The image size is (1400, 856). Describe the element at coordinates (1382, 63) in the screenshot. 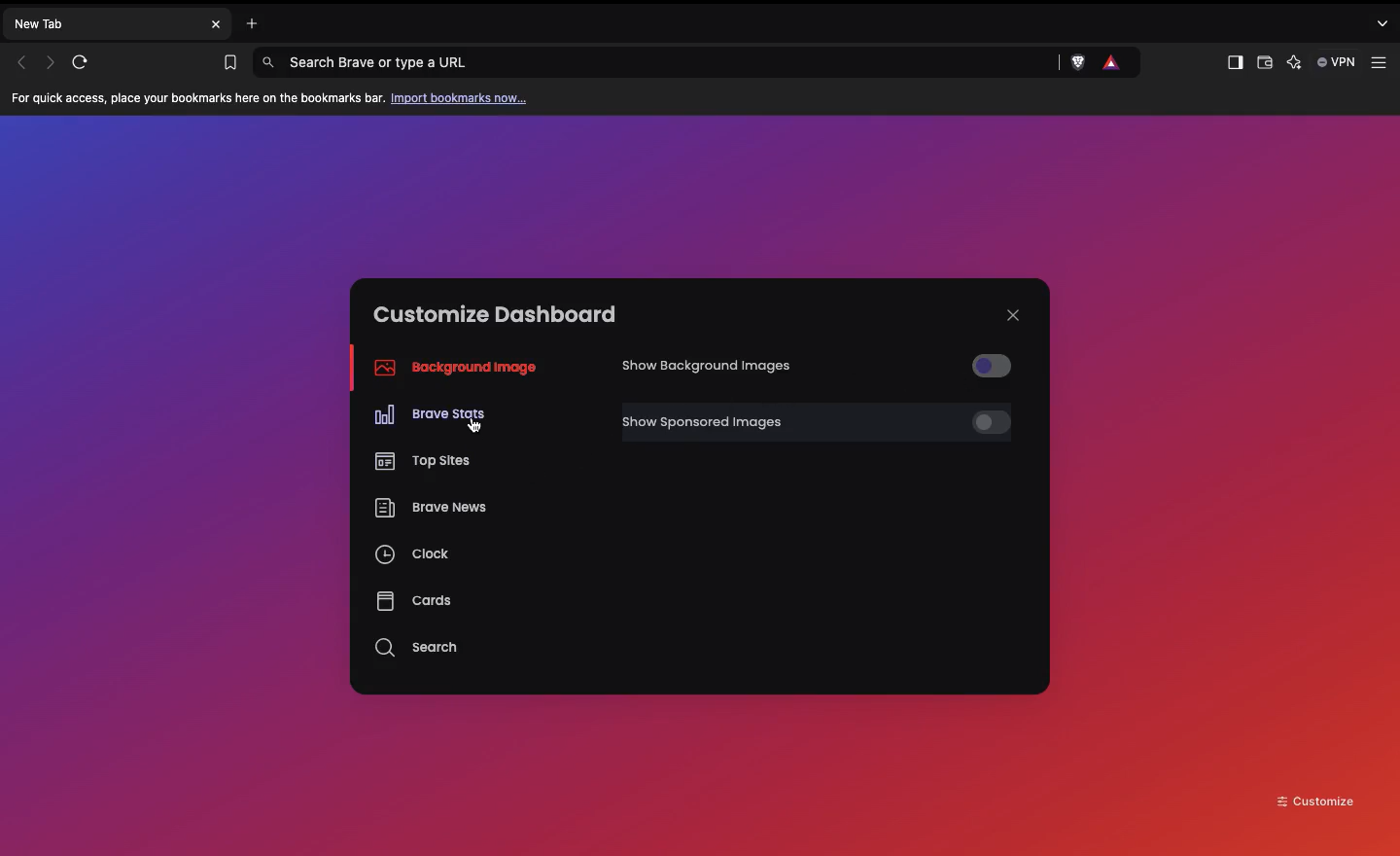

I see `Customize and control Brave` at that location.